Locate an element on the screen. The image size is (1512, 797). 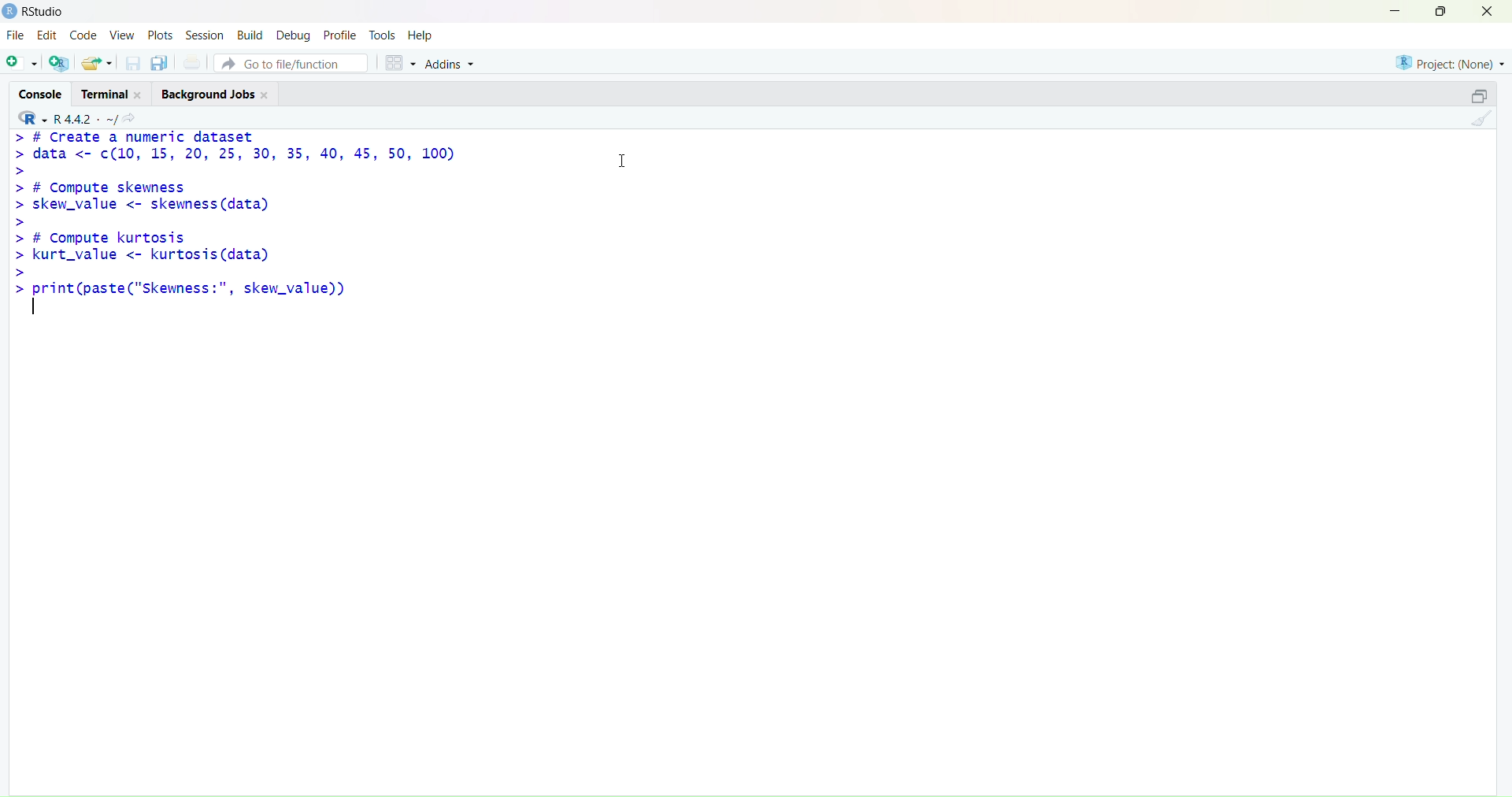
Save all open documents (Ctrl + Alt + S) is located at coordinates (160, 64).